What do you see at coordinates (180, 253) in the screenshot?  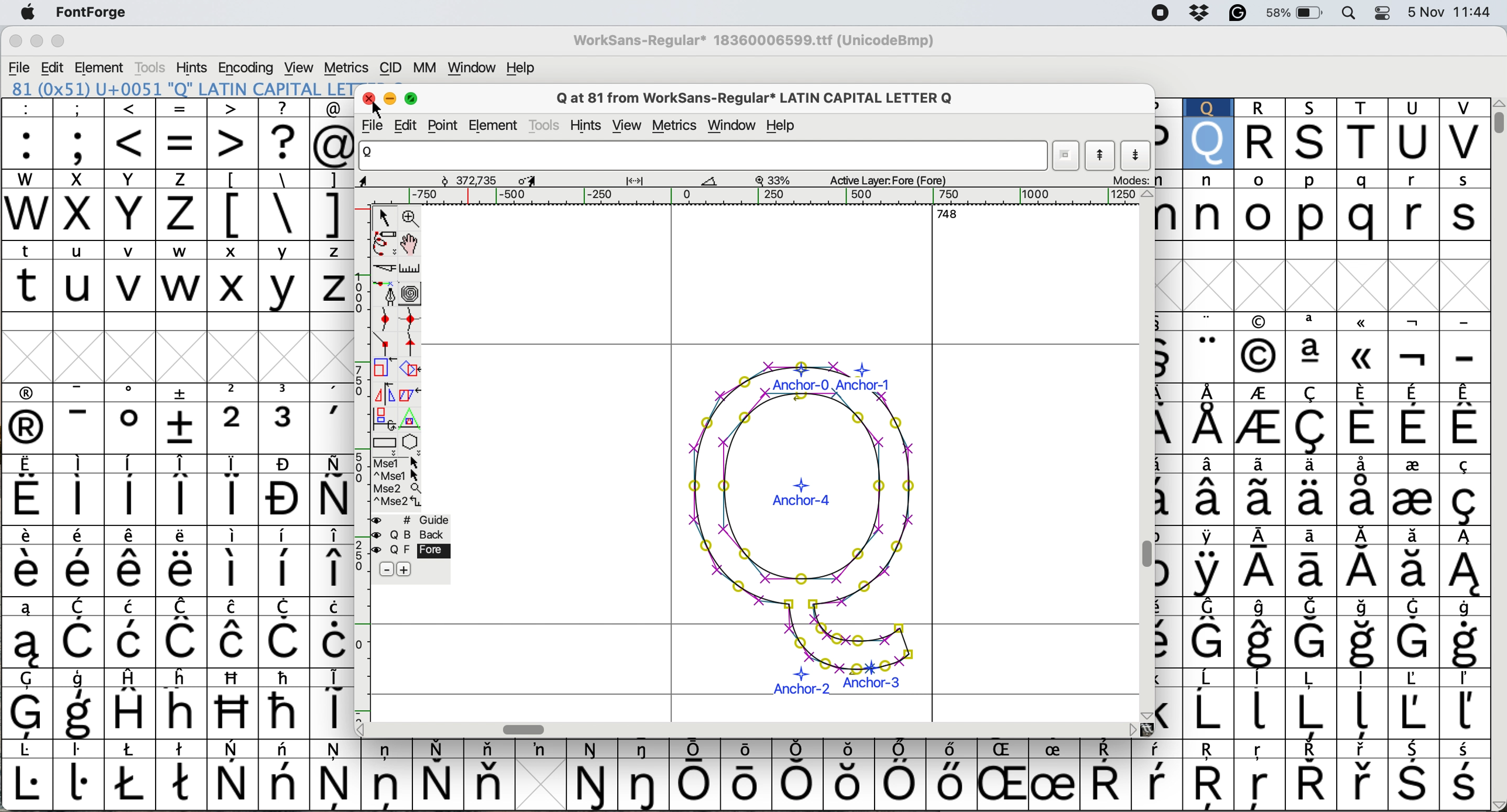 I see `lowercase letters` at bounding box center [180, 253].